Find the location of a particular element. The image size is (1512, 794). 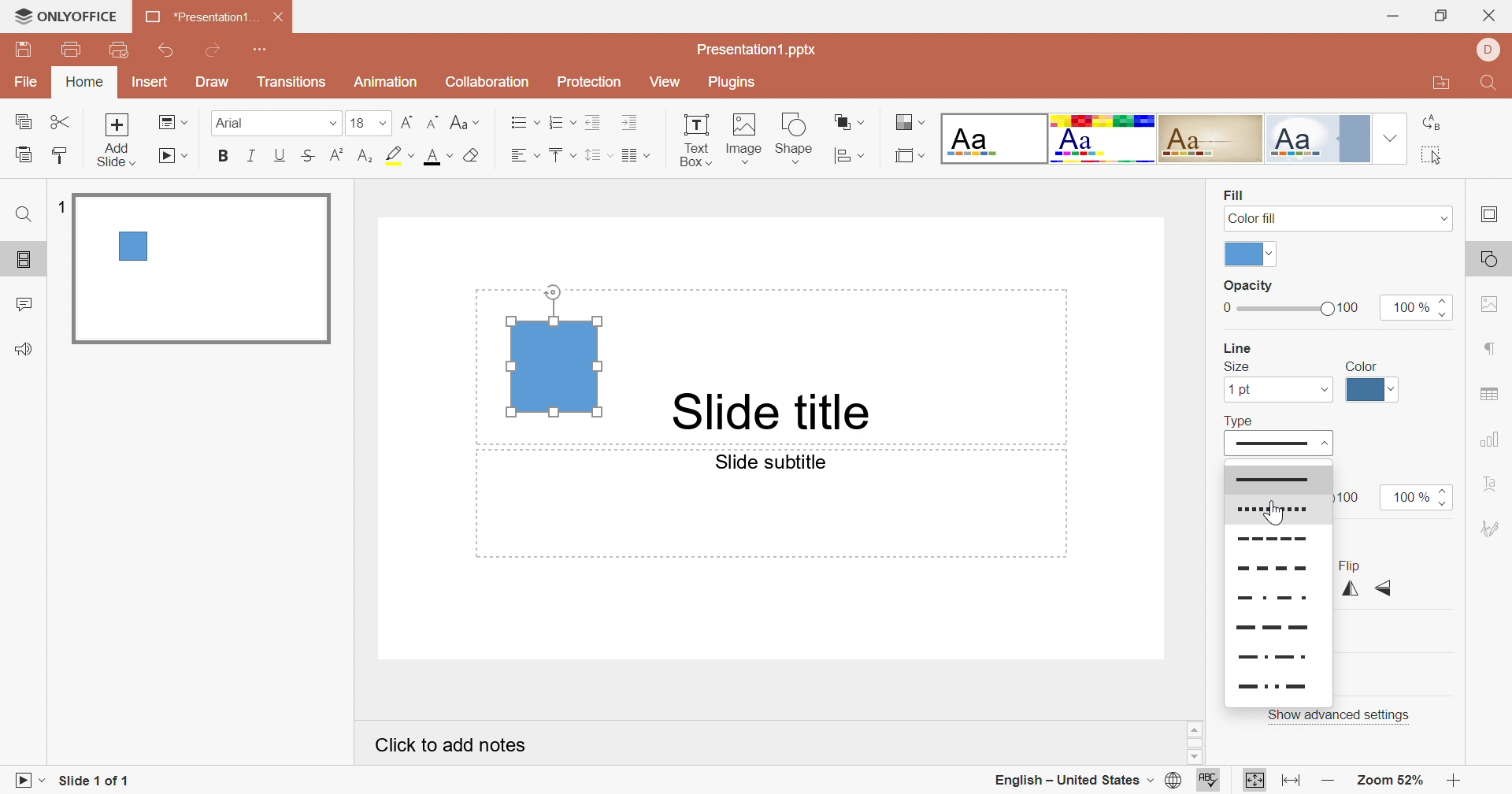

Zoom 57% is located at coordinates (1392, 781).